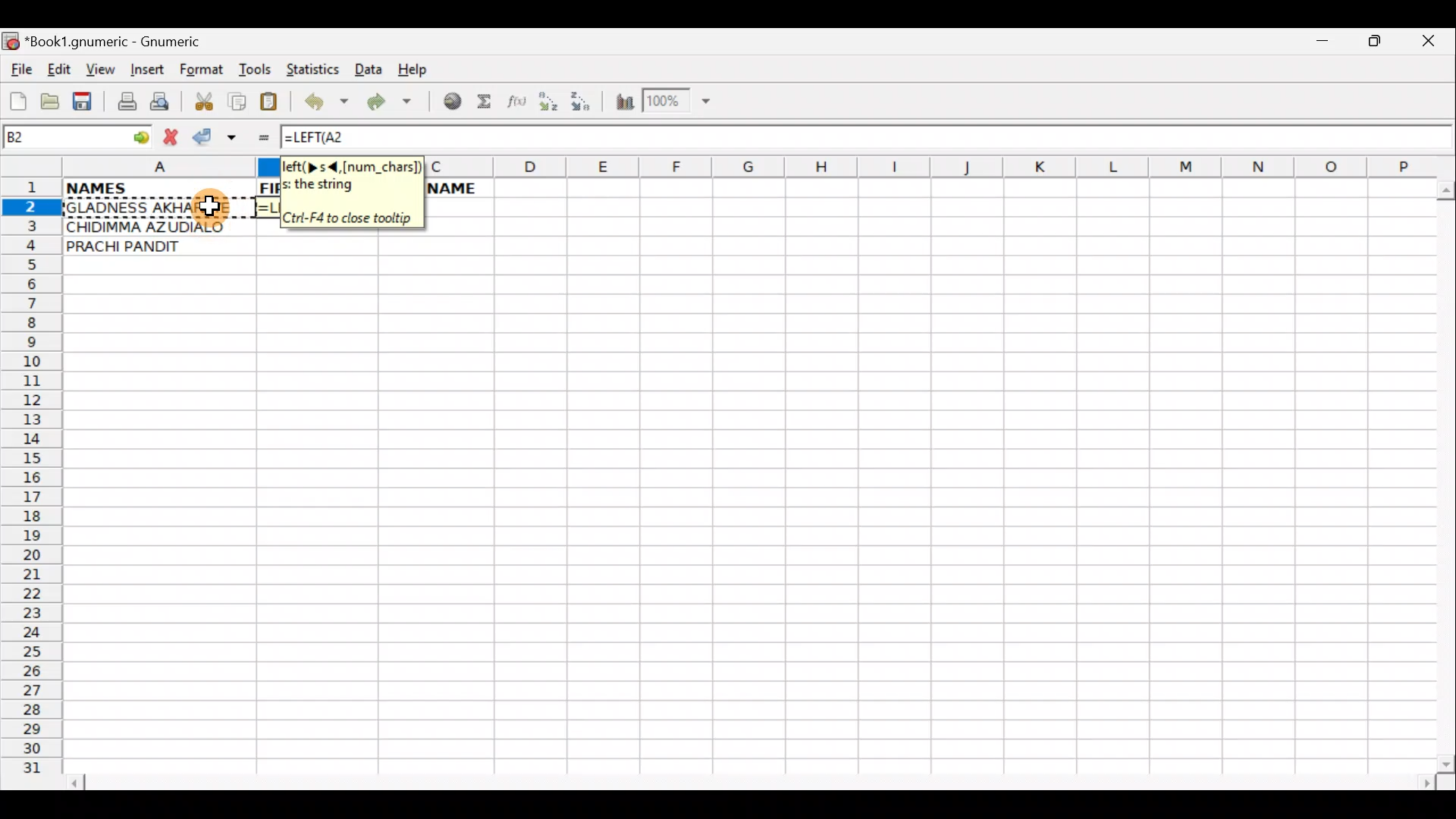 The height and width of the screenshot is (819, 1456). Describe the element at coordinates (351, 193) in the screenshot. I see `left(>s<, (num,chars) the string. Ctri-F4 to close tooltip.` at that location.